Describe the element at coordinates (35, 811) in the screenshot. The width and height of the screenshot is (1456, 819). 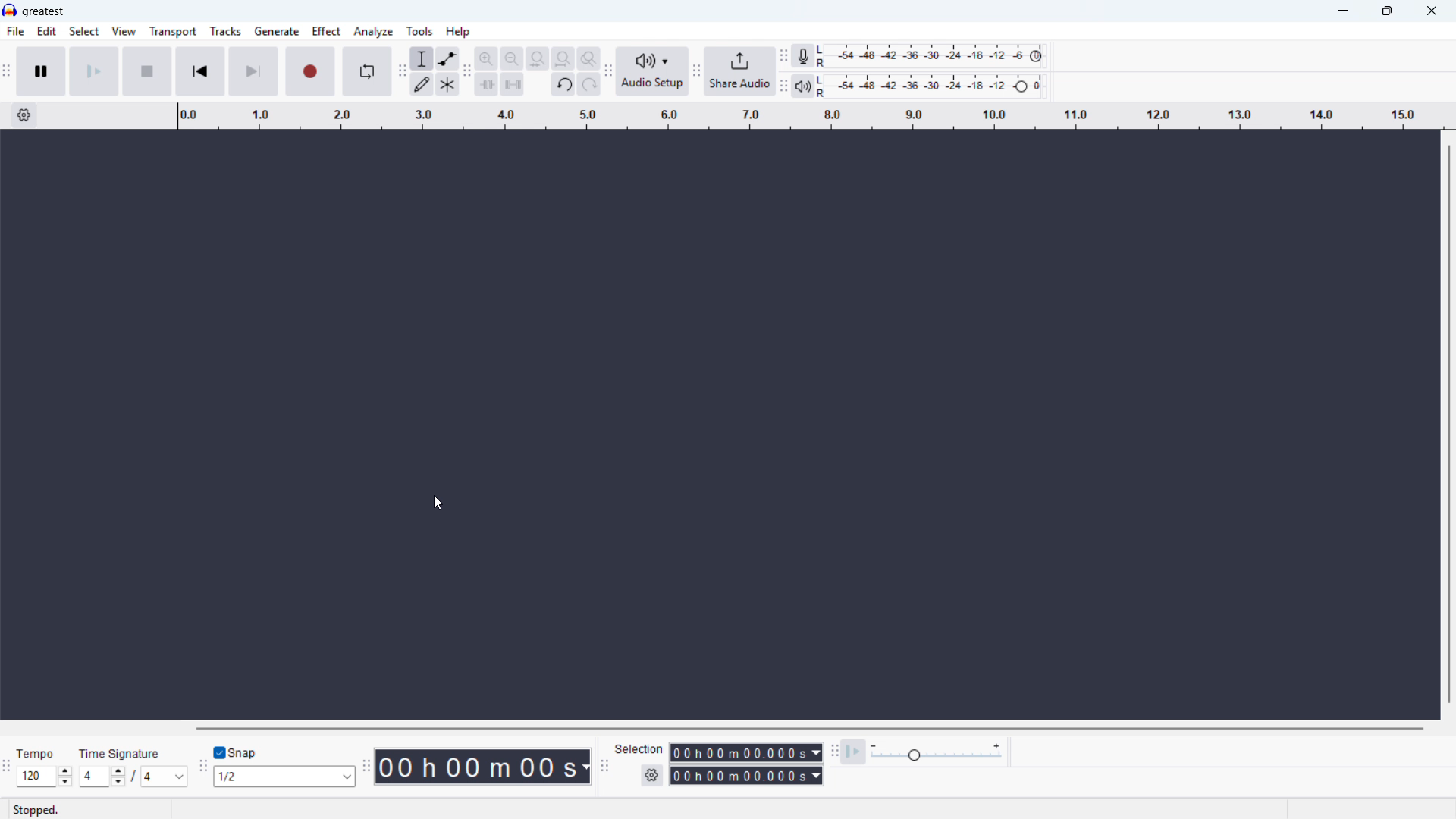
I see `stopped` at that location.